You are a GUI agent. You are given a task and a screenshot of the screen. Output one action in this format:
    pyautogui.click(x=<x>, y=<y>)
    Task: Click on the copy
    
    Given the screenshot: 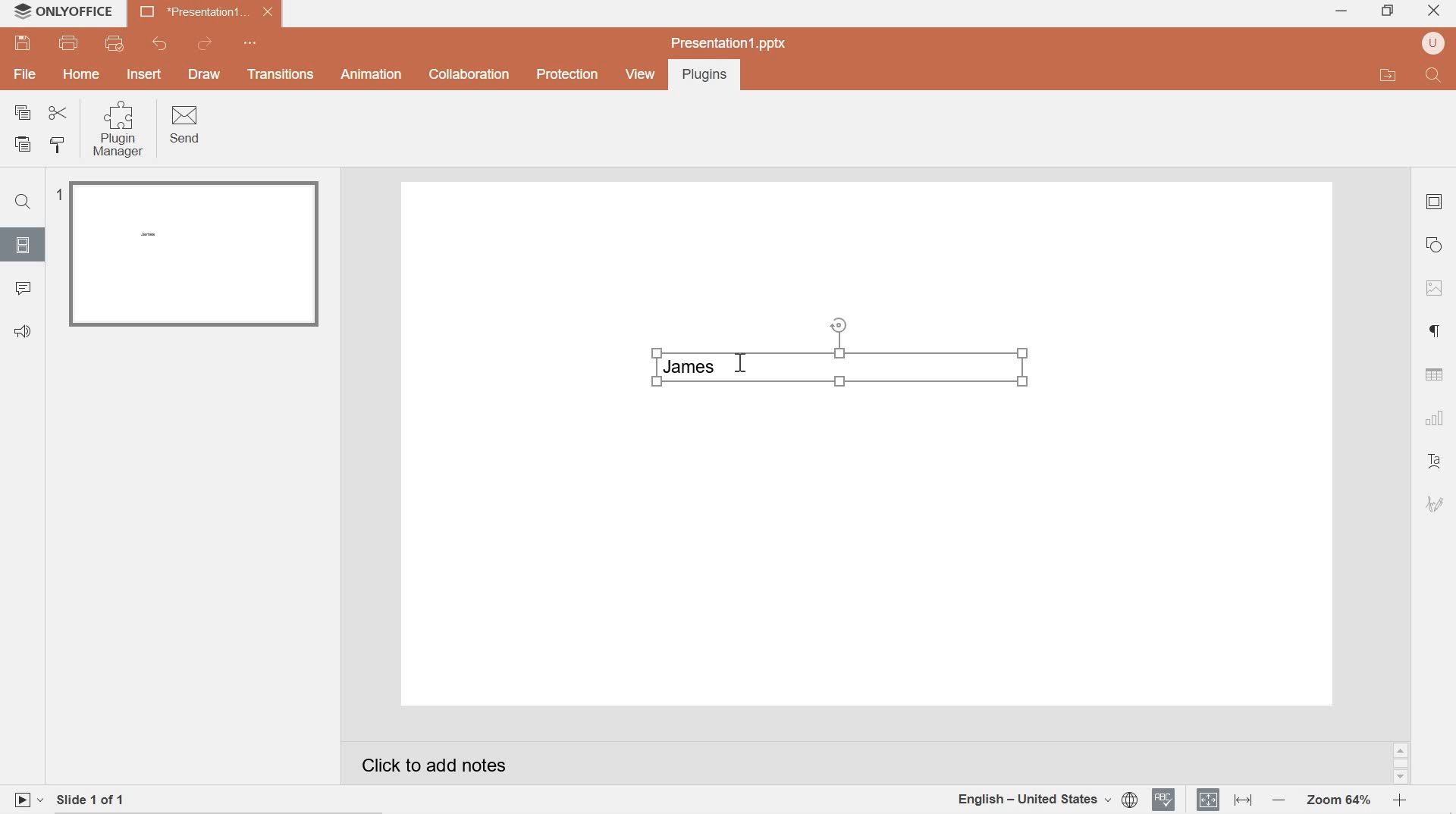 What is the action you would take?
    pyautogui.click(x=23, y=112)
    